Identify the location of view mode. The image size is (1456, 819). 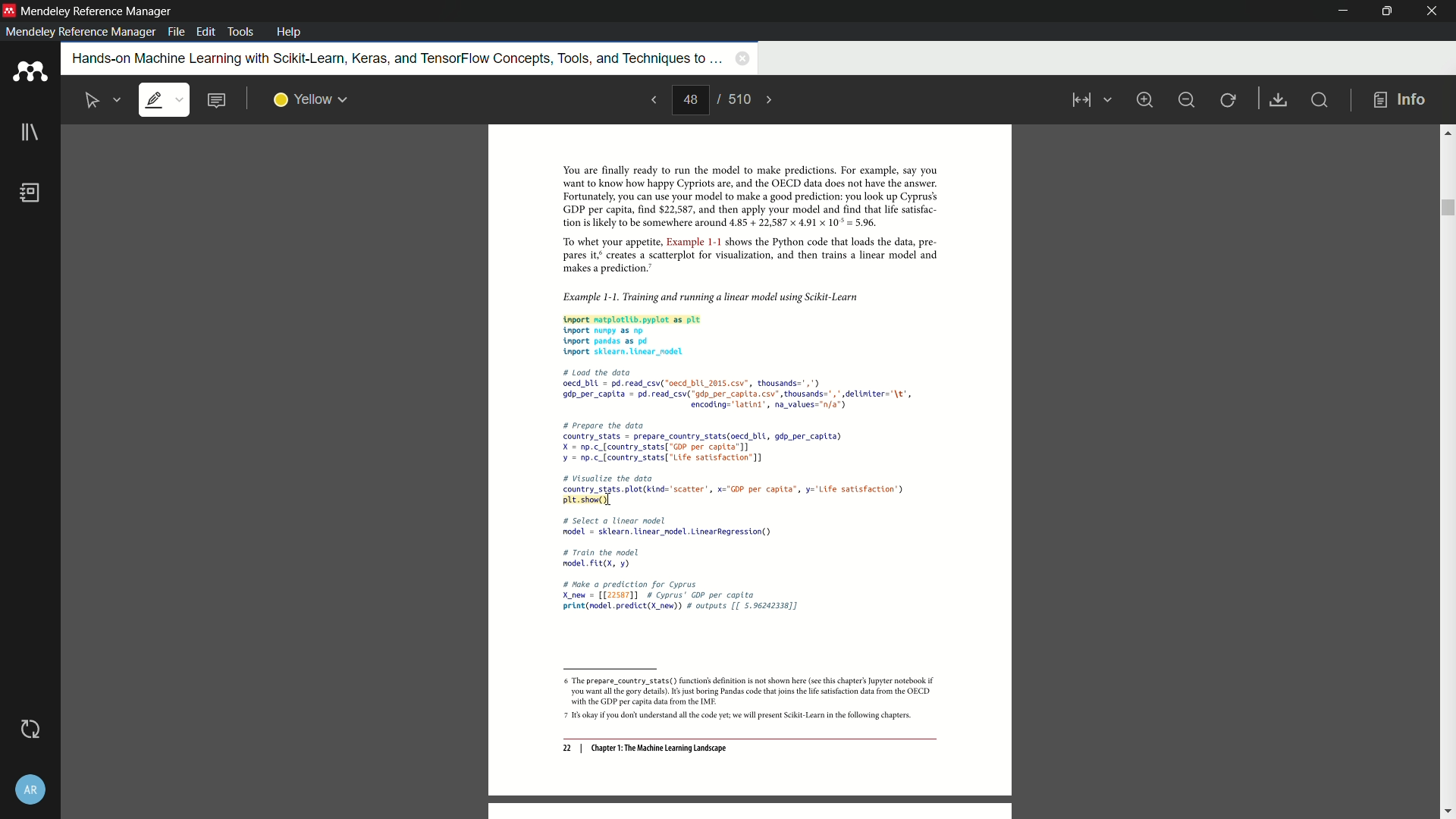
(1089, 100).